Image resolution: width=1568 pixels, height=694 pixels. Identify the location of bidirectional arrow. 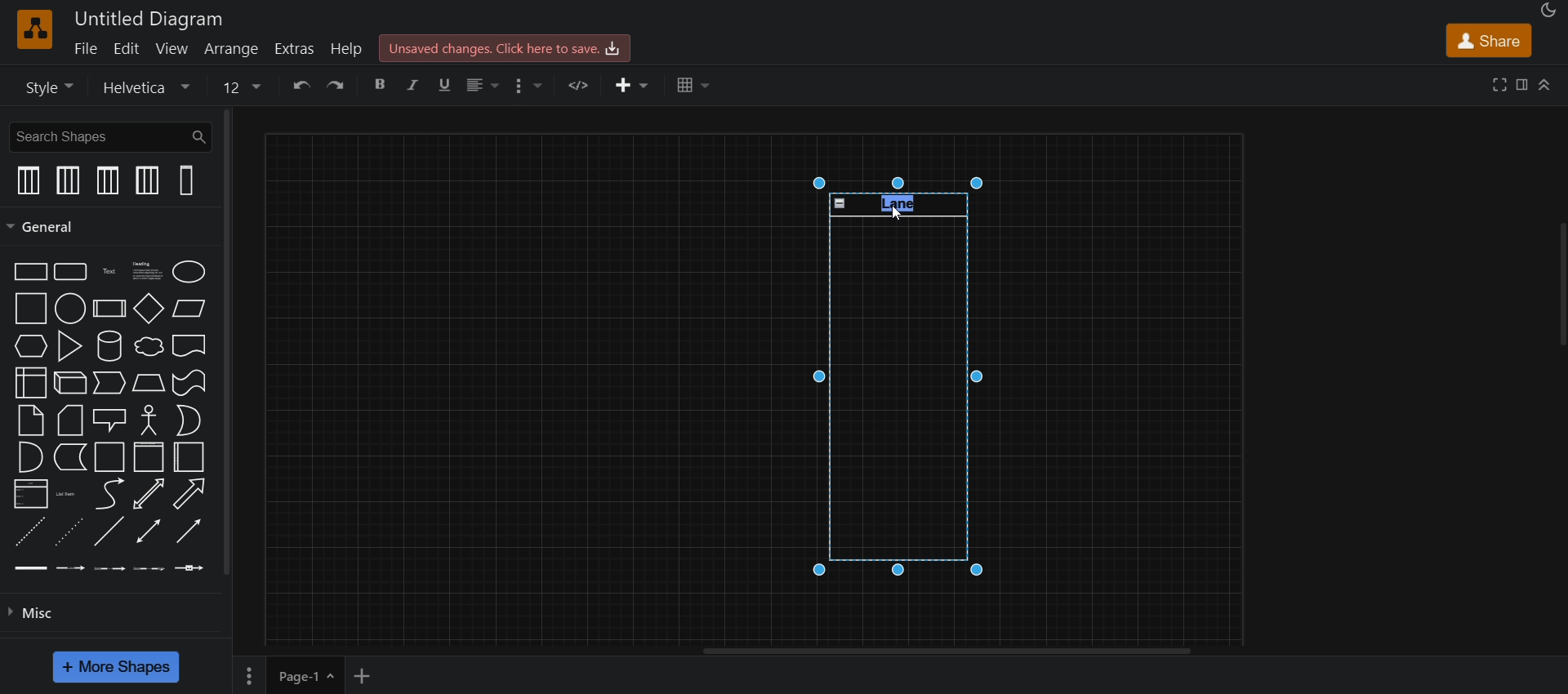
(148, 495).